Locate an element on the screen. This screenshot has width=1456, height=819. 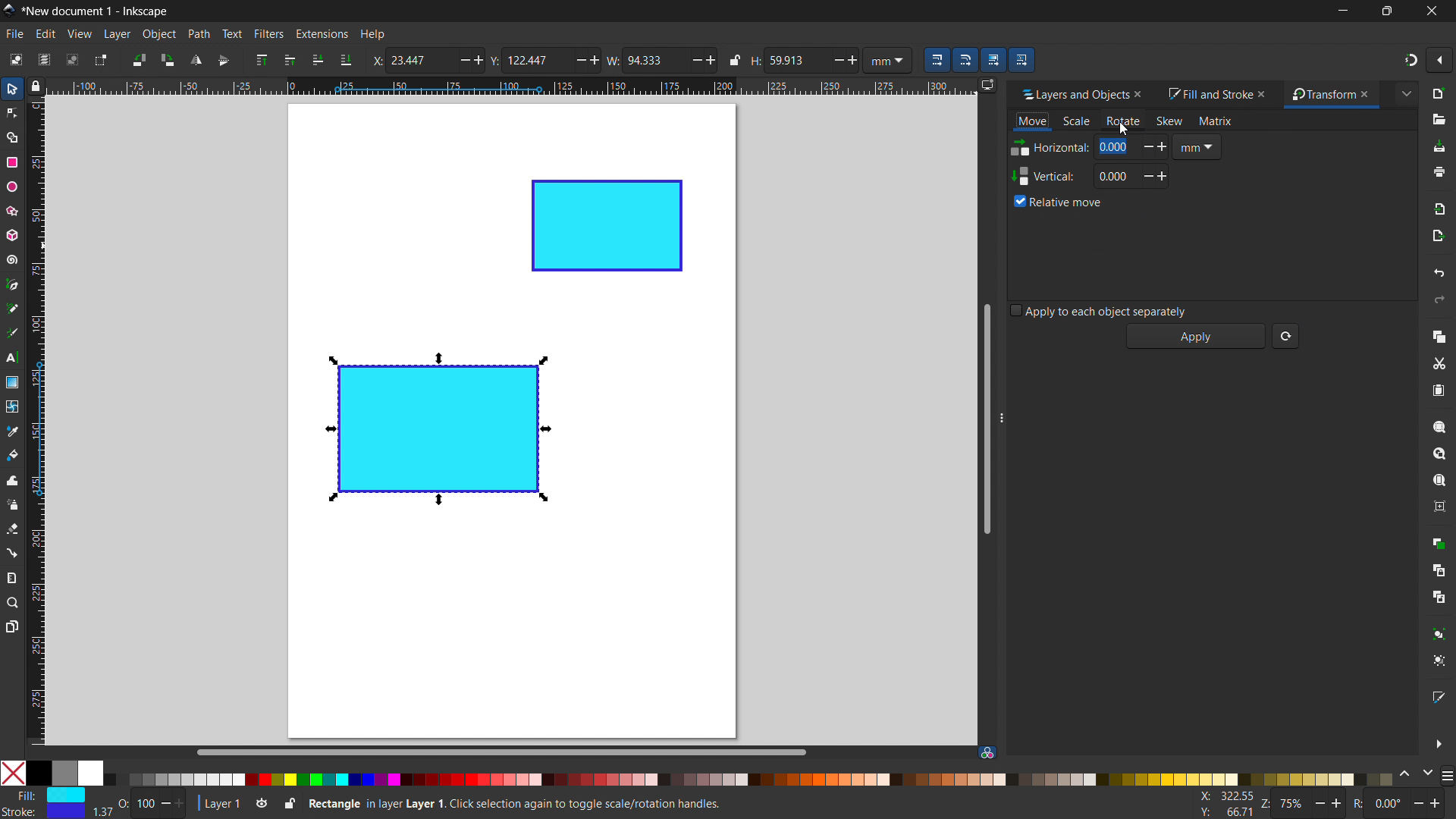
Rectangle in Layer 1. Click selection again to toggle scale/ rotation handles is located at coordinates (518, 802).